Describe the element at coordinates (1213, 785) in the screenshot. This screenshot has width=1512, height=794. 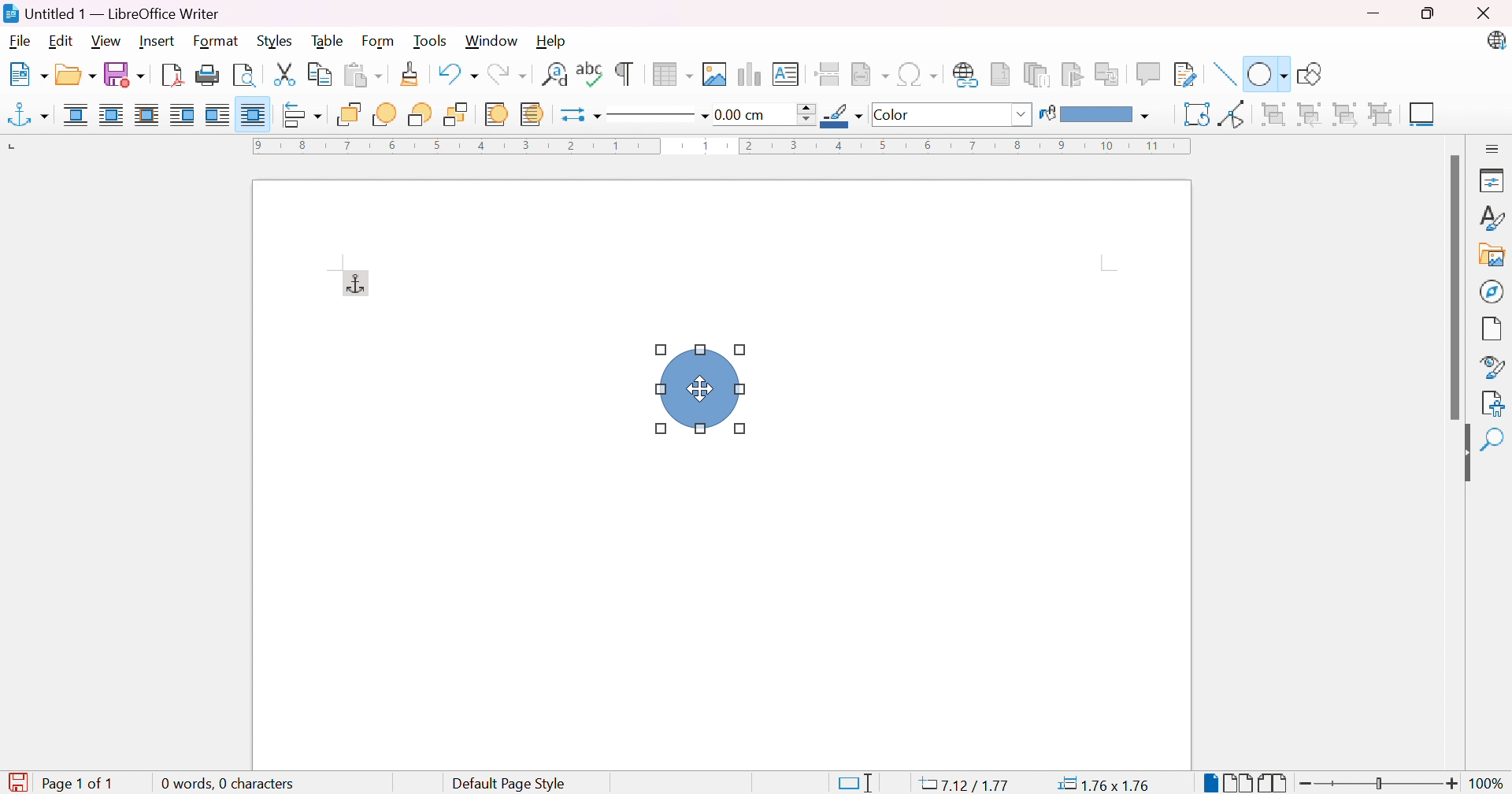
I see `Single-page view` at that location.